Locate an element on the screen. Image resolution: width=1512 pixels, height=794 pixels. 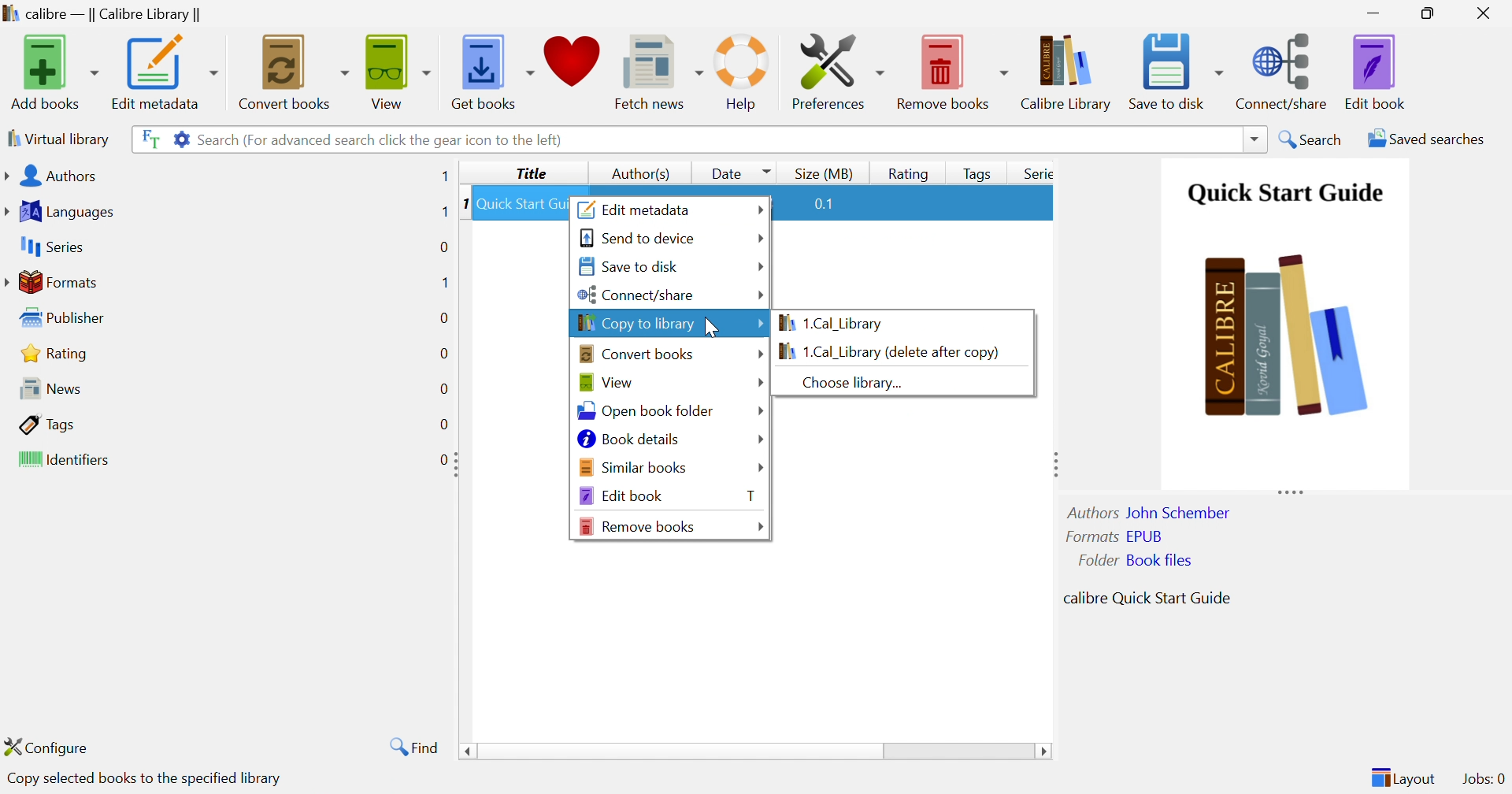
Quick start guide is located at coordinates (1284, 194).